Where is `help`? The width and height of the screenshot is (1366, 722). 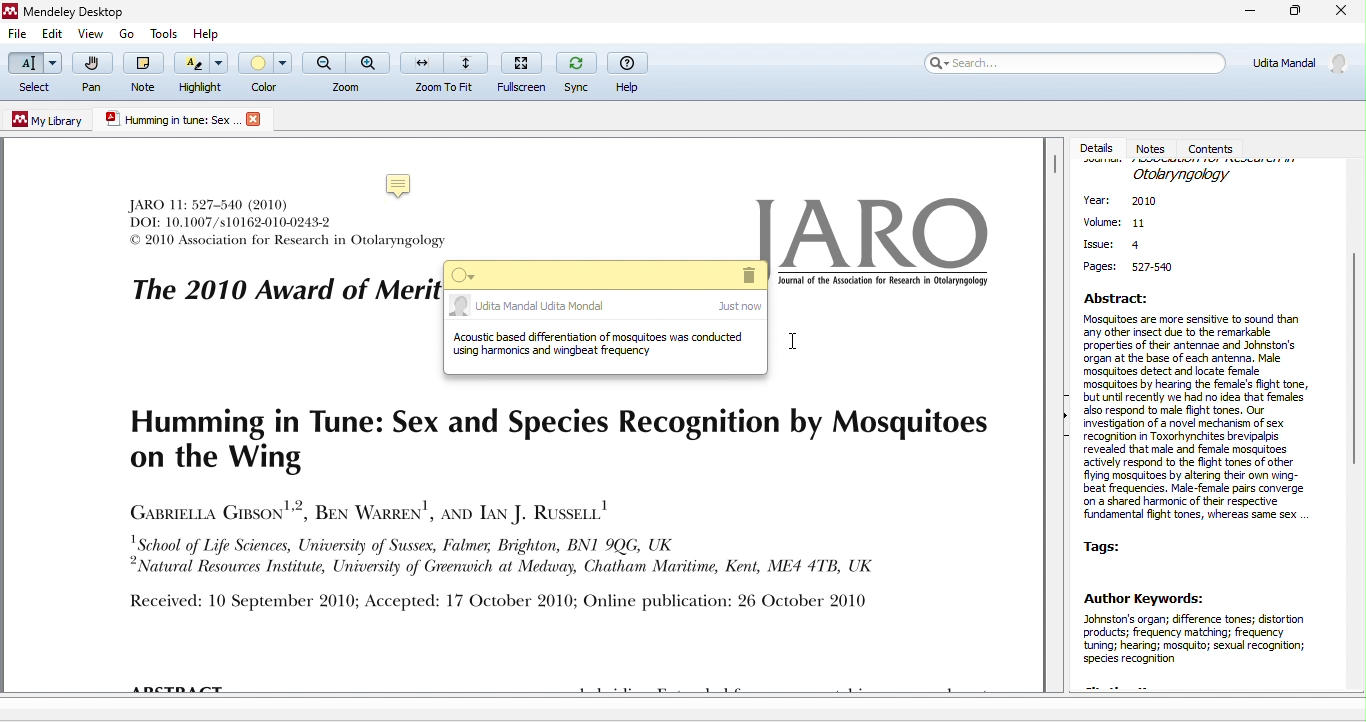 help is located at coordinates (630, 72).